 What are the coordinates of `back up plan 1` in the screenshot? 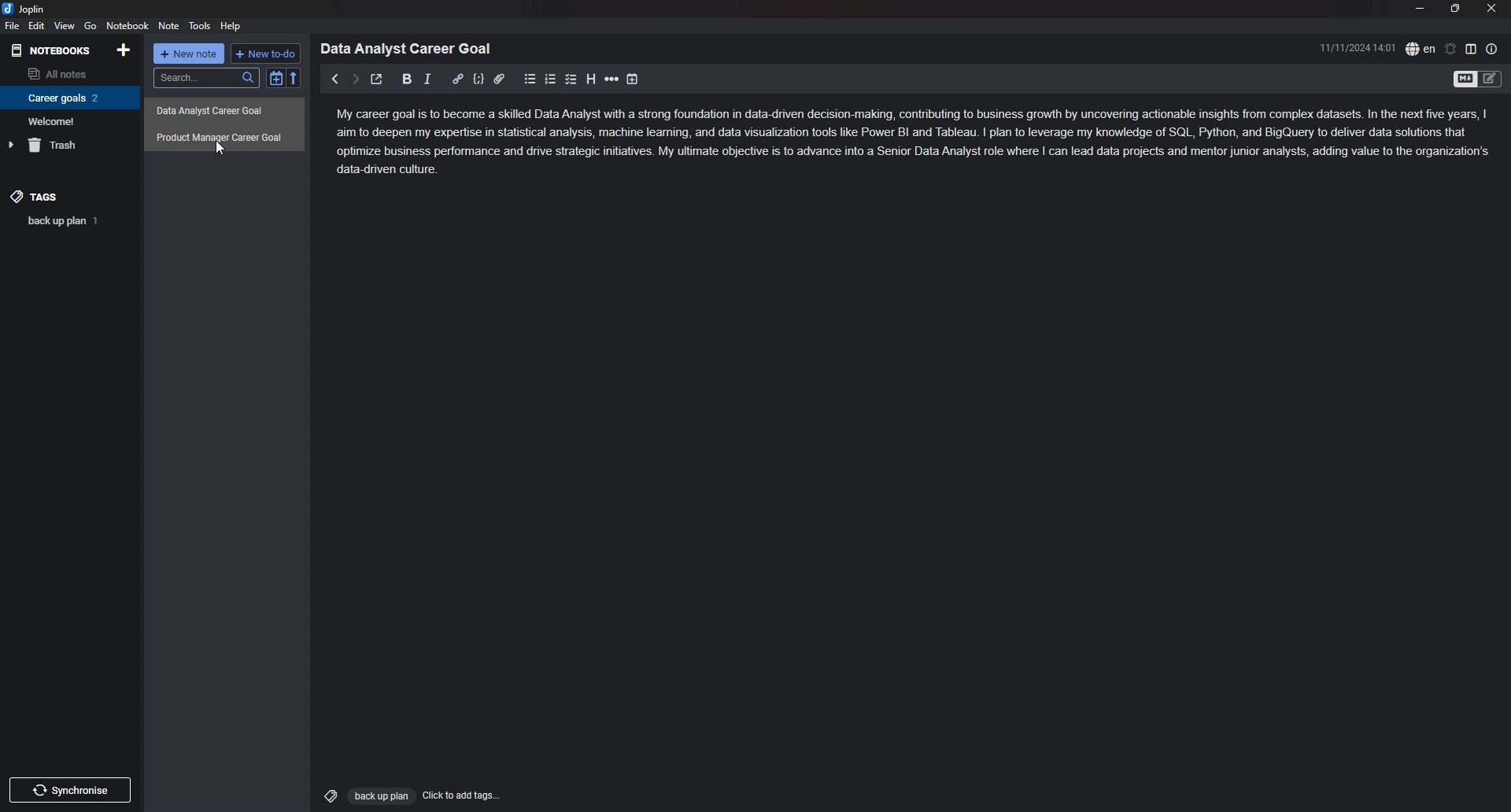 It's located at (72, 220).